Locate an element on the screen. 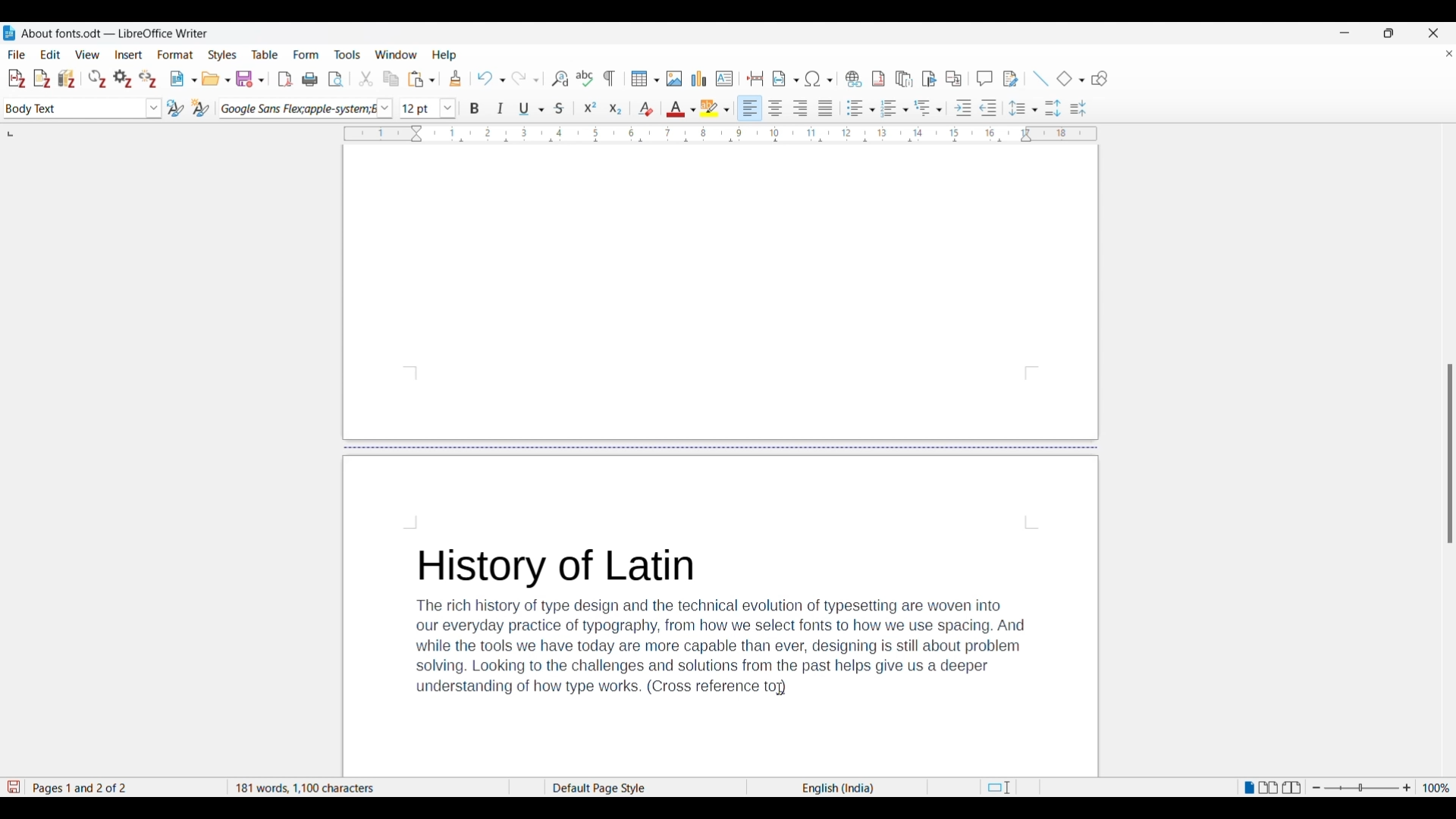 This screenshot has height=819, width=1456. Horizontal ruler is located at coordinates (720, 134).